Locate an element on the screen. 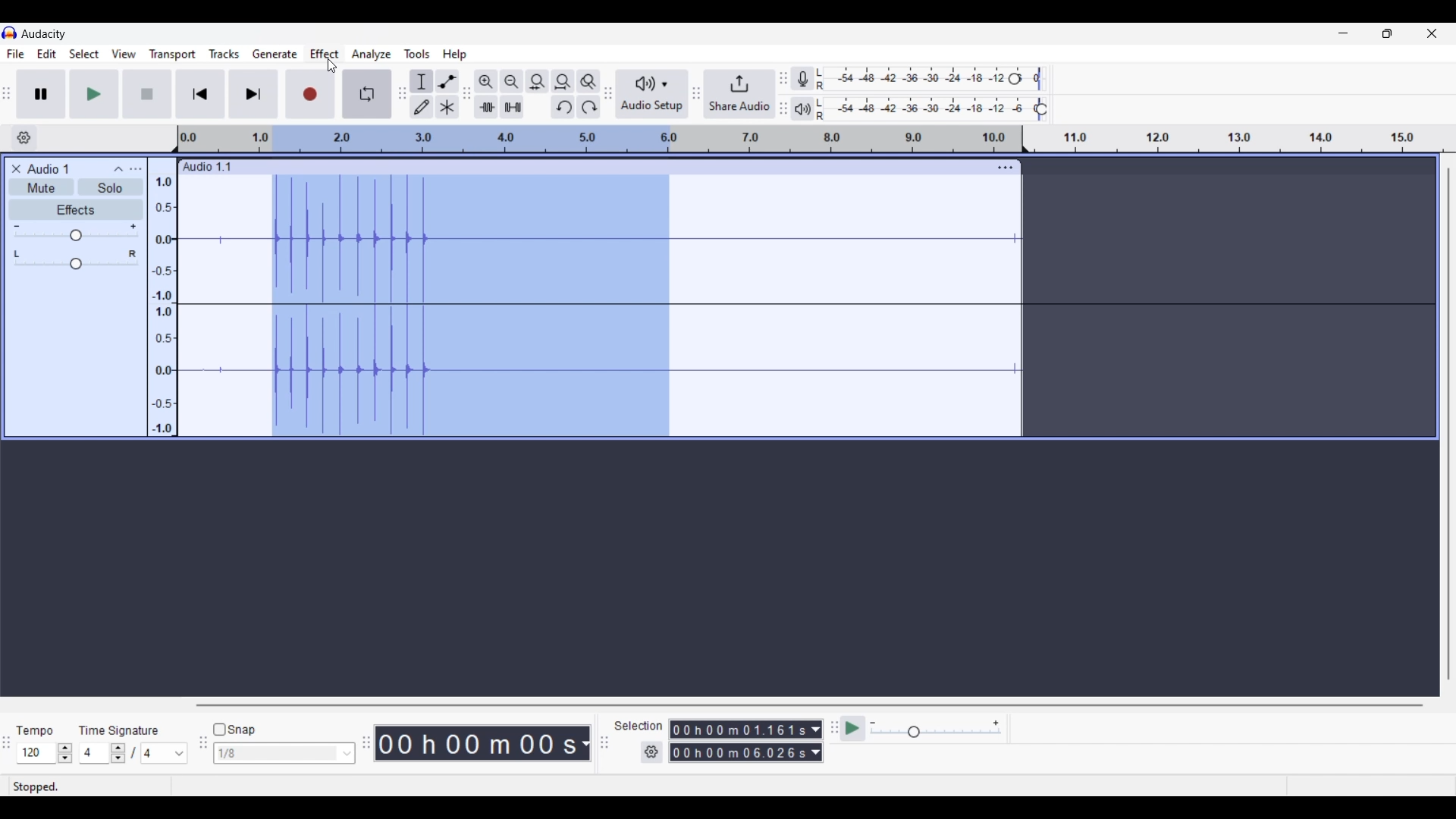 Image resolution: width=1456 pixels, height=819 pixels. Name of audio track is located at coordinates (49, 168).